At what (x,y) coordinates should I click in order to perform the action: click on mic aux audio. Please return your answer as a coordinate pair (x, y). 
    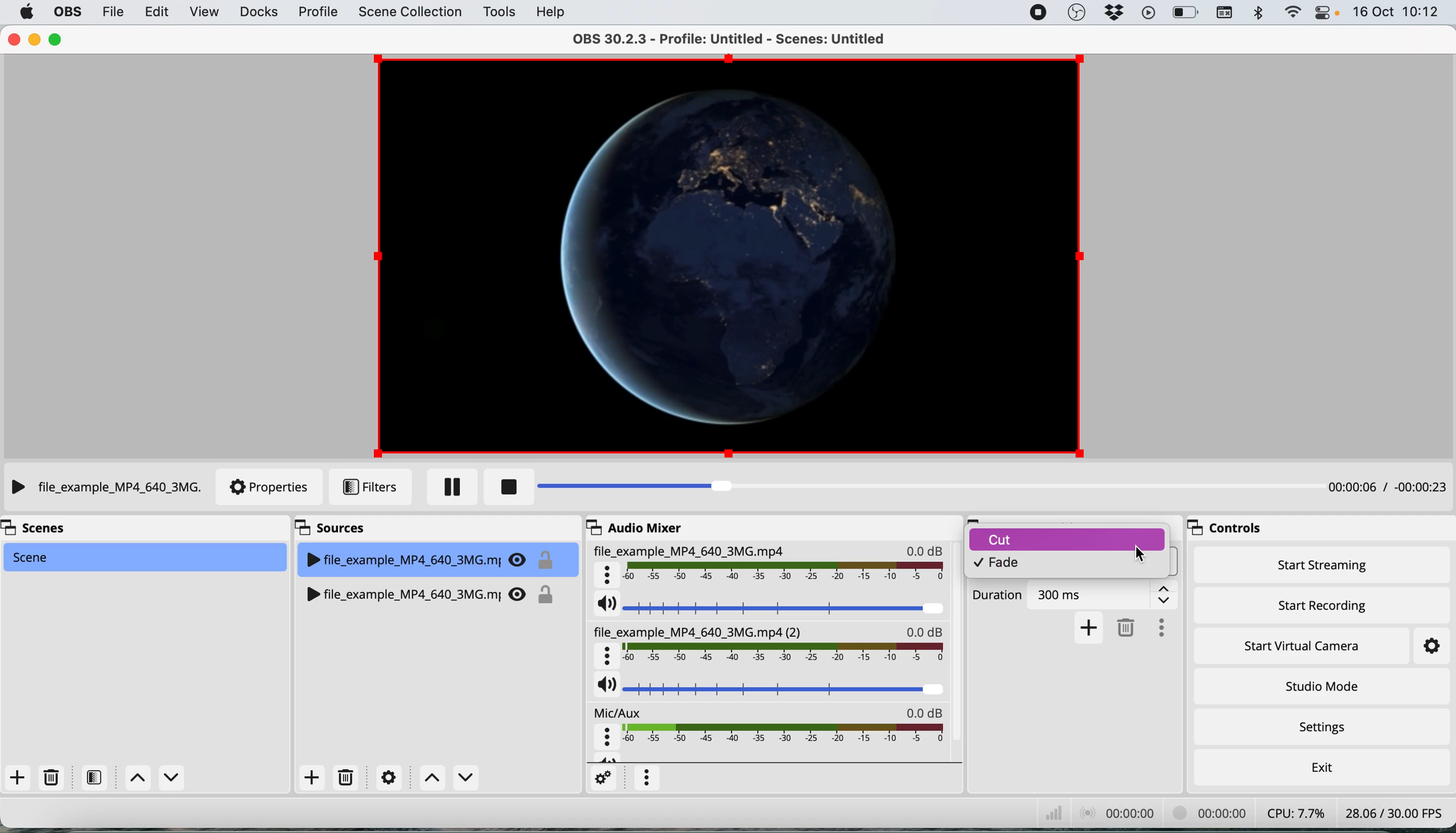
    Looking at the image, I should click on (772, 729).